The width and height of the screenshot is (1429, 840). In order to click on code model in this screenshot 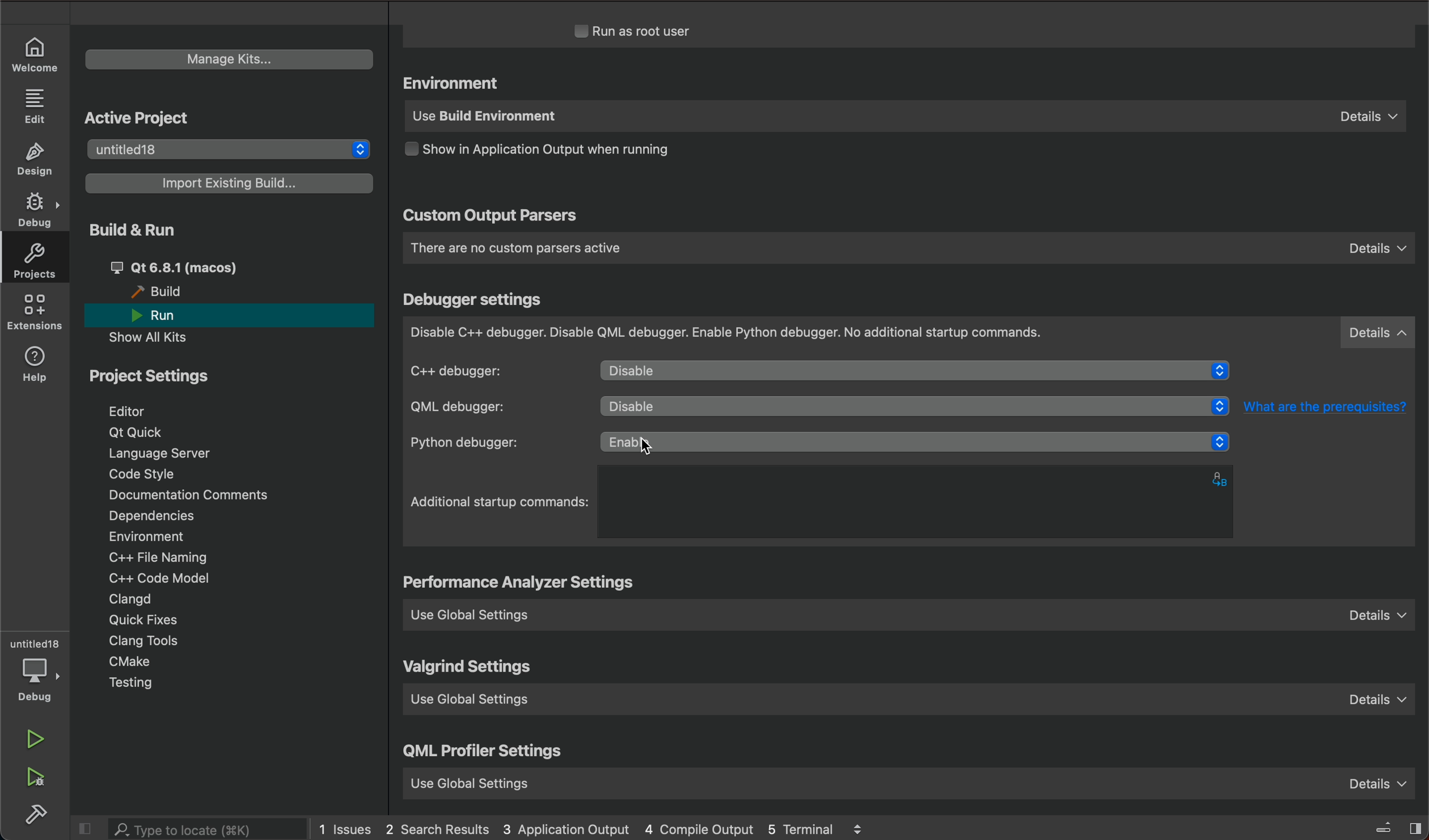, I will do `click(153, 578)`.